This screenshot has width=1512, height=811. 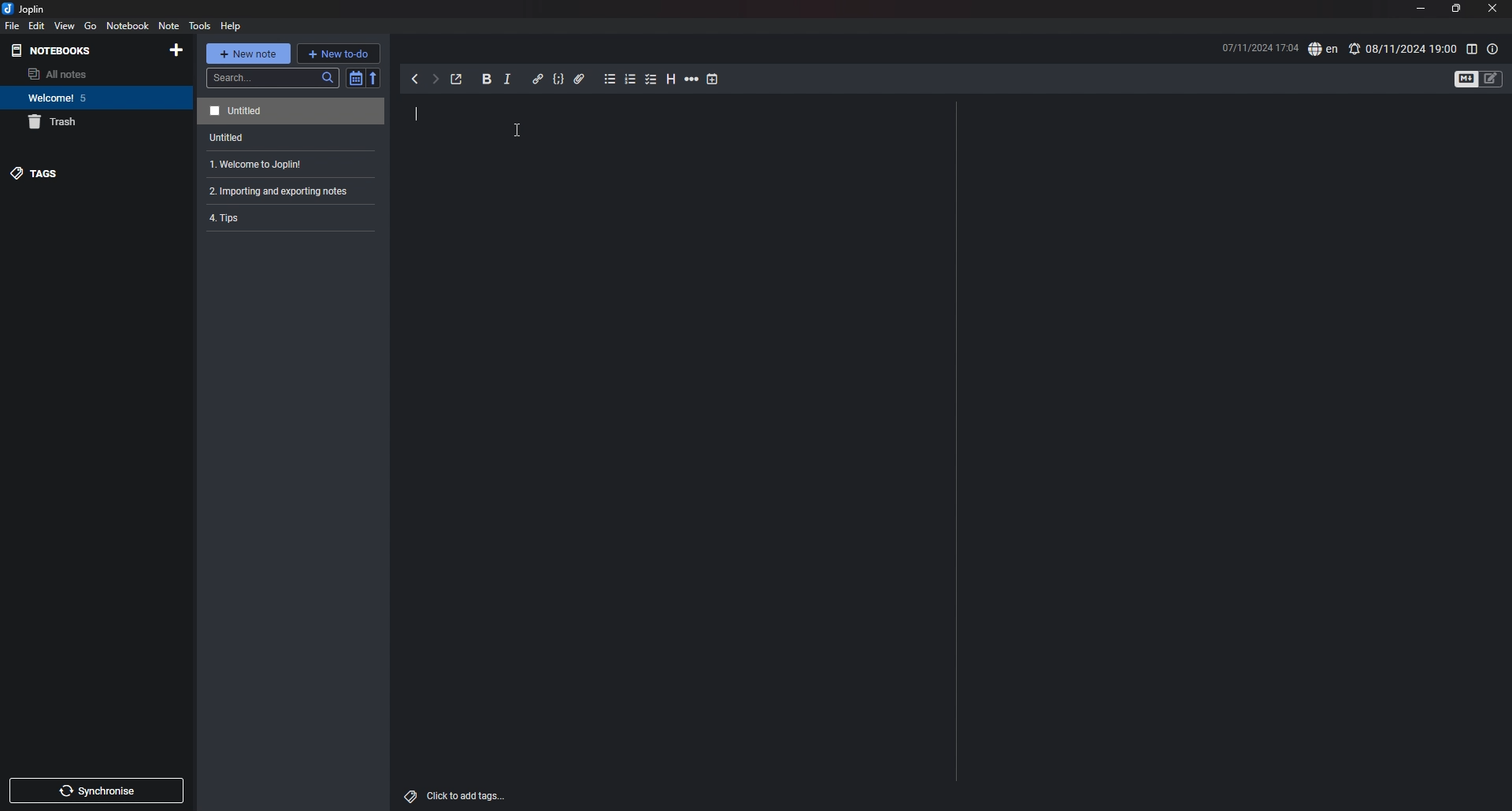 What do you see at coordinates (1323, 49) in the screenshot?
I see `en` at bounding box center [1323, 49].